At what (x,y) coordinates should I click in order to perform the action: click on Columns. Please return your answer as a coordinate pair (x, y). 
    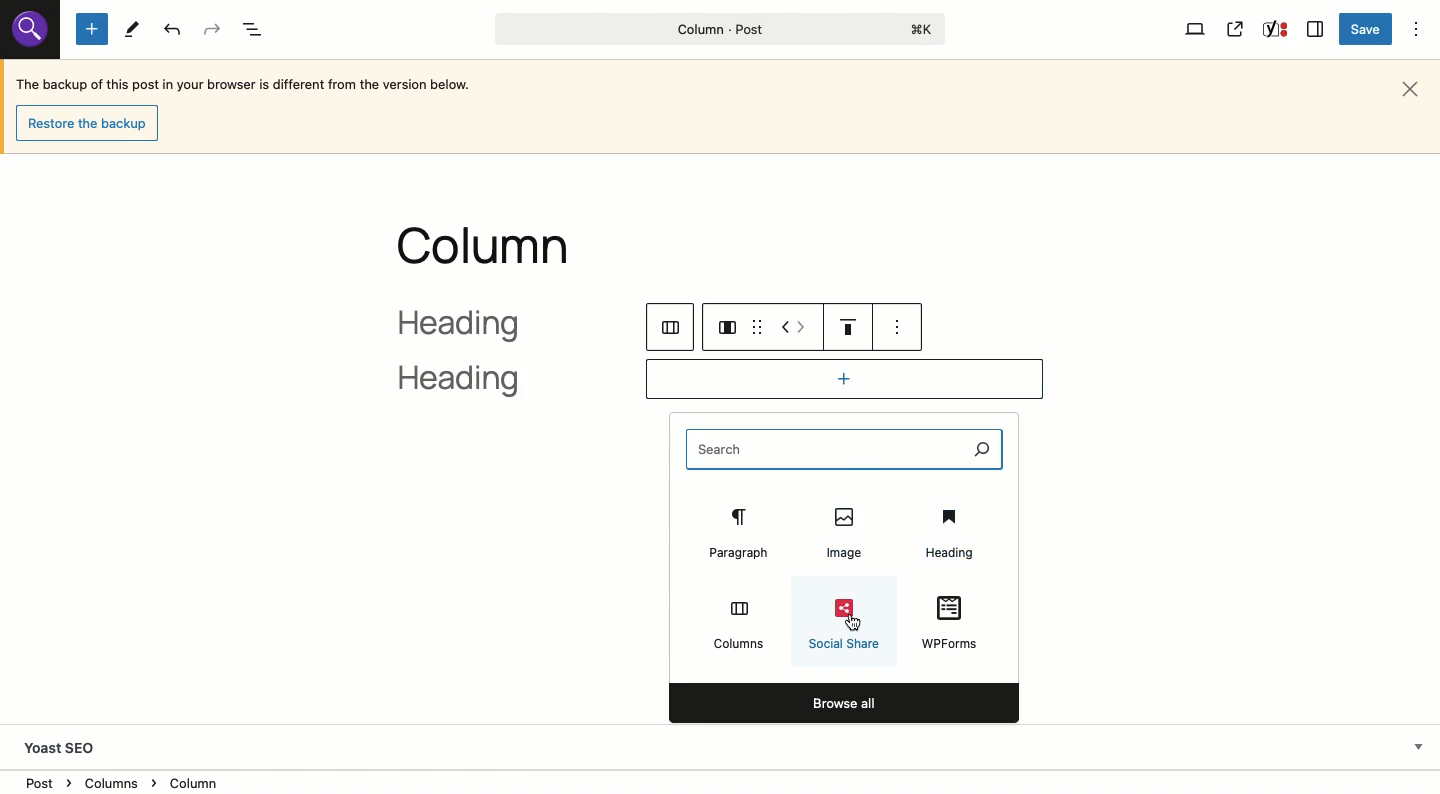
    Looking at the image, I should click on (738, 626).